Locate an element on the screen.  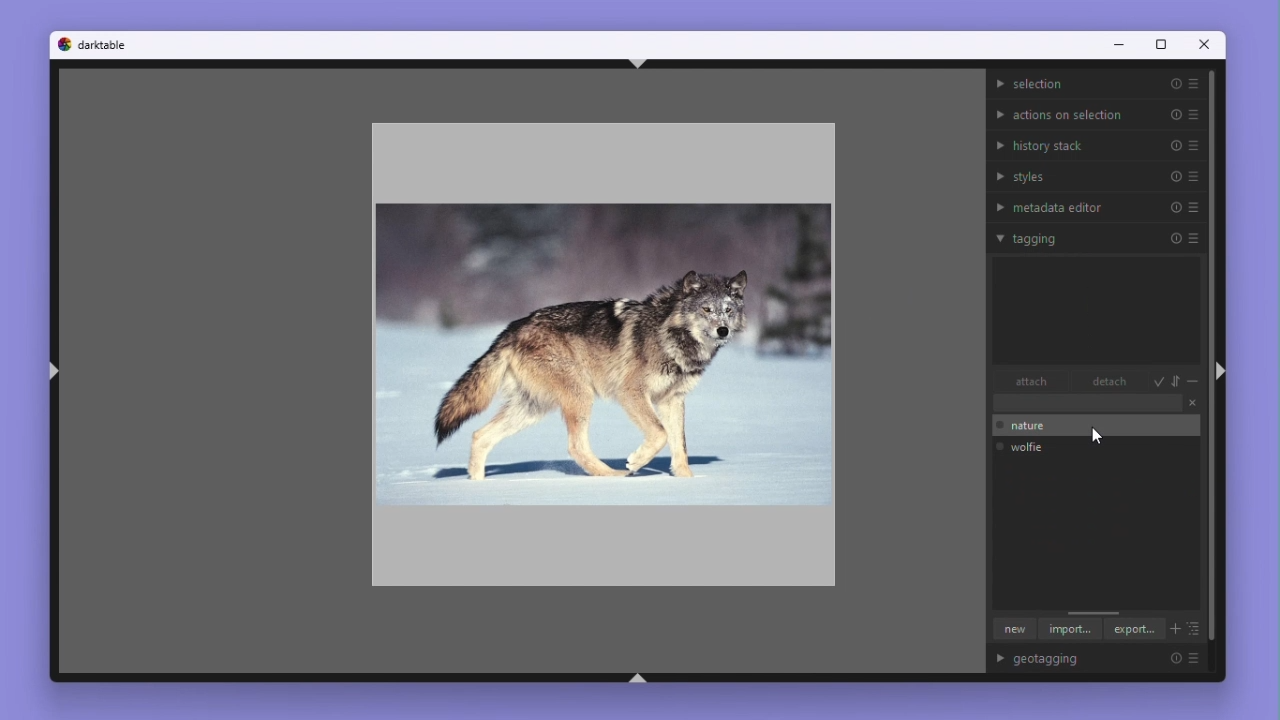
Nature is located at coordinates (1031, 427).